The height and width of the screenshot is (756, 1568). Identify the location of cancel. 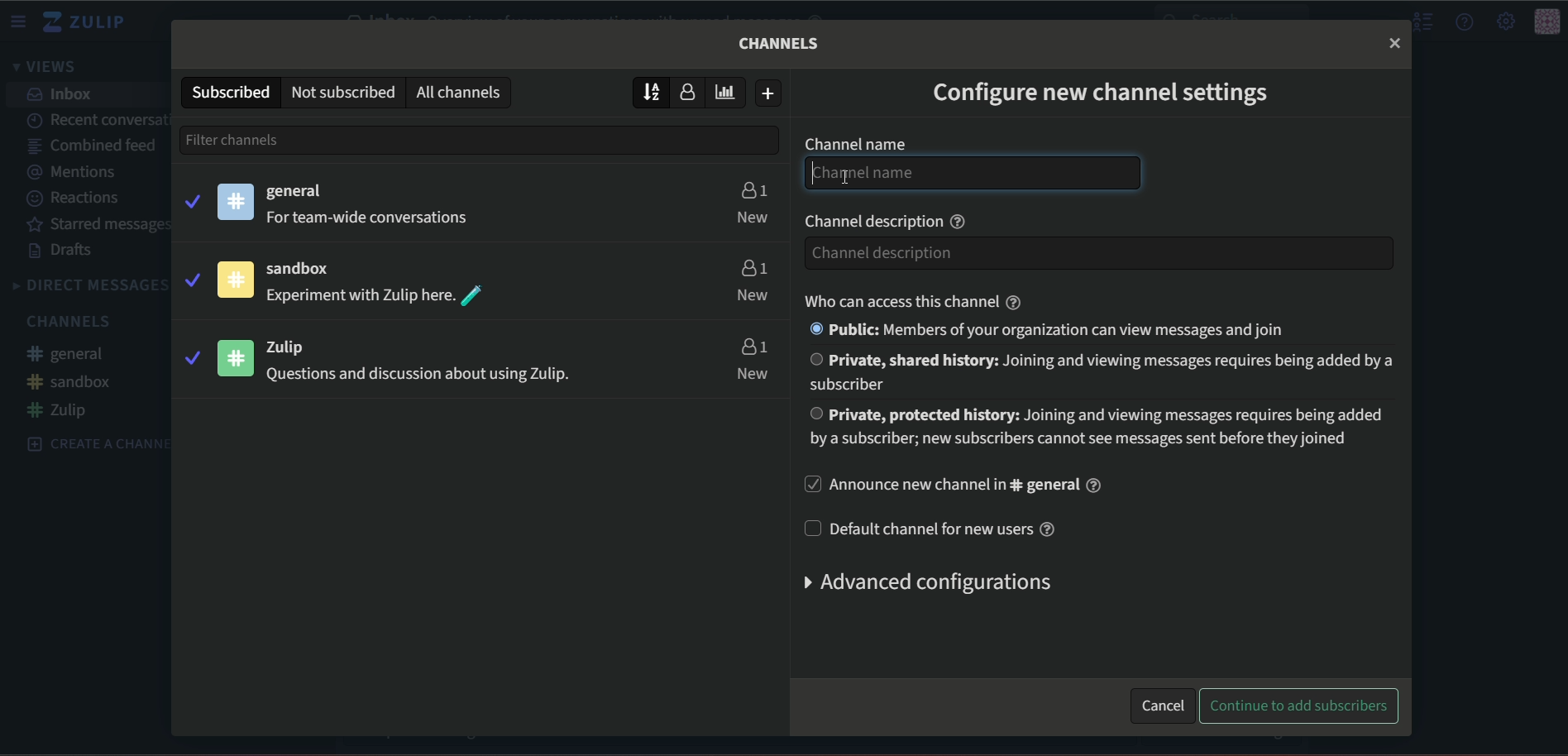
(1162, 703).